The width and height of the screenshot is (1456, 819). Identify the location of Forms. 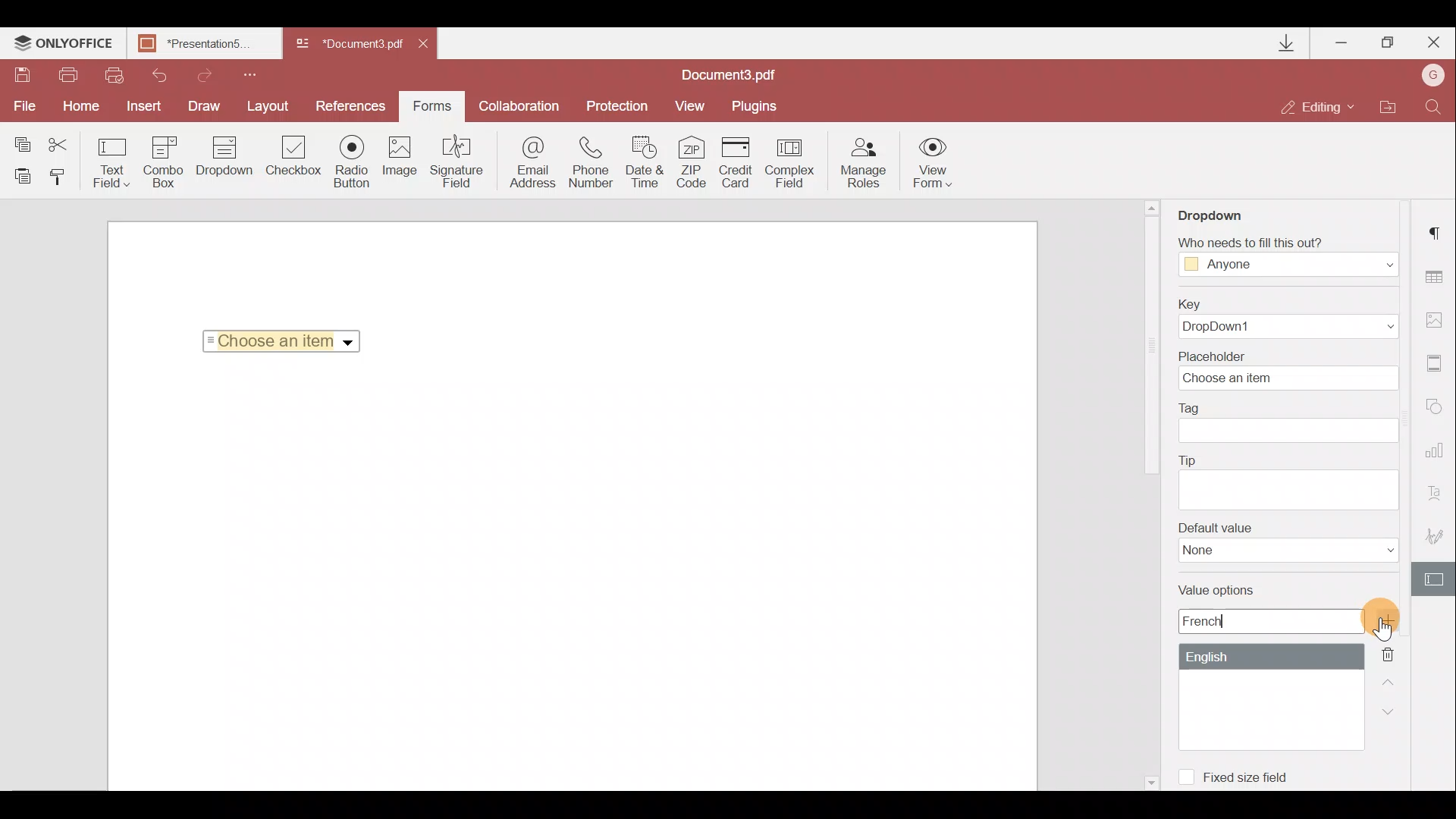
(431, 101).